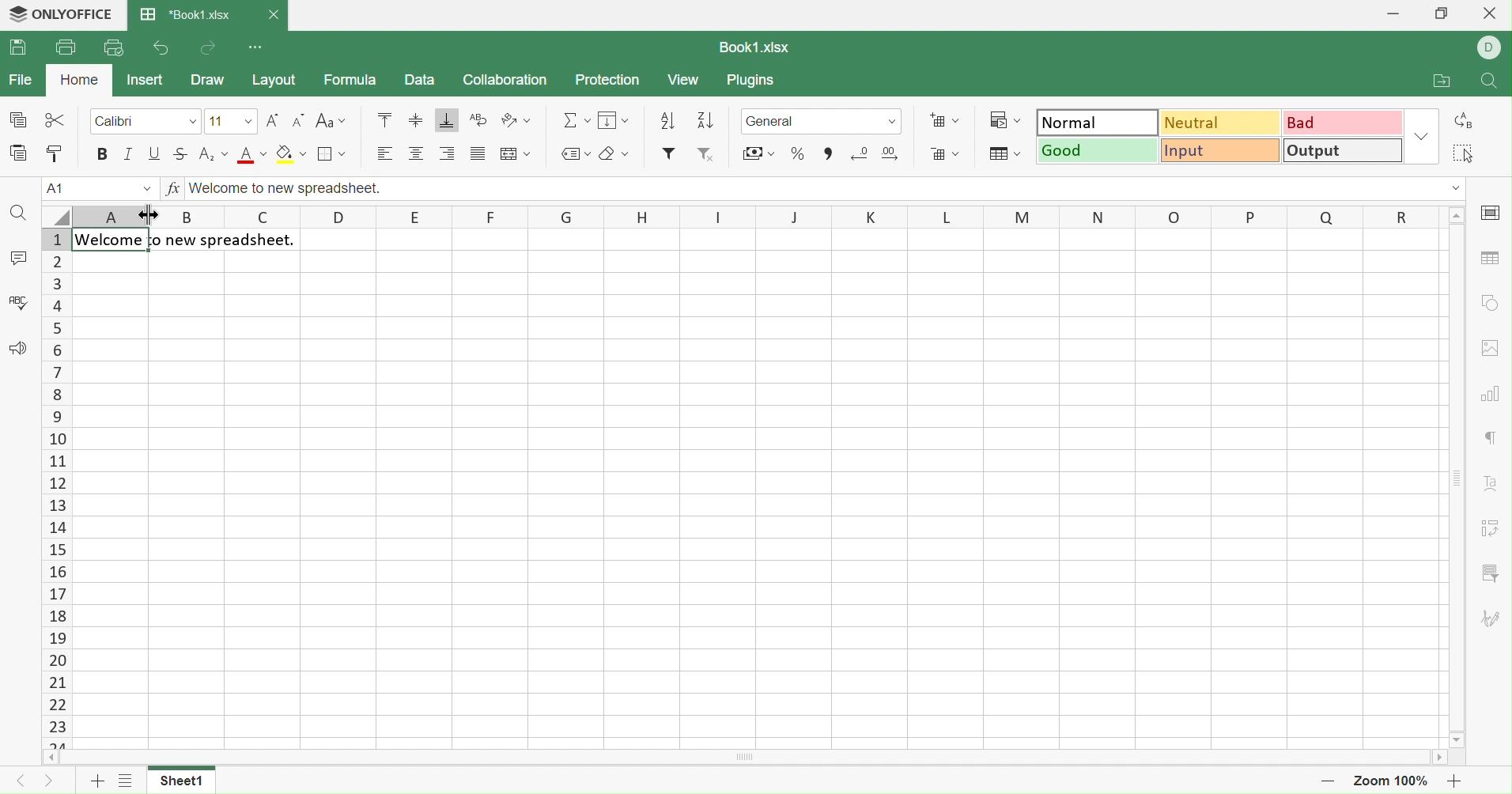 The width and height of the screenshot is (1512, 794). What do you see at coordinates (758, 152) in the screenshot?
I see `Accounting style` at bounding box center [758, 152].